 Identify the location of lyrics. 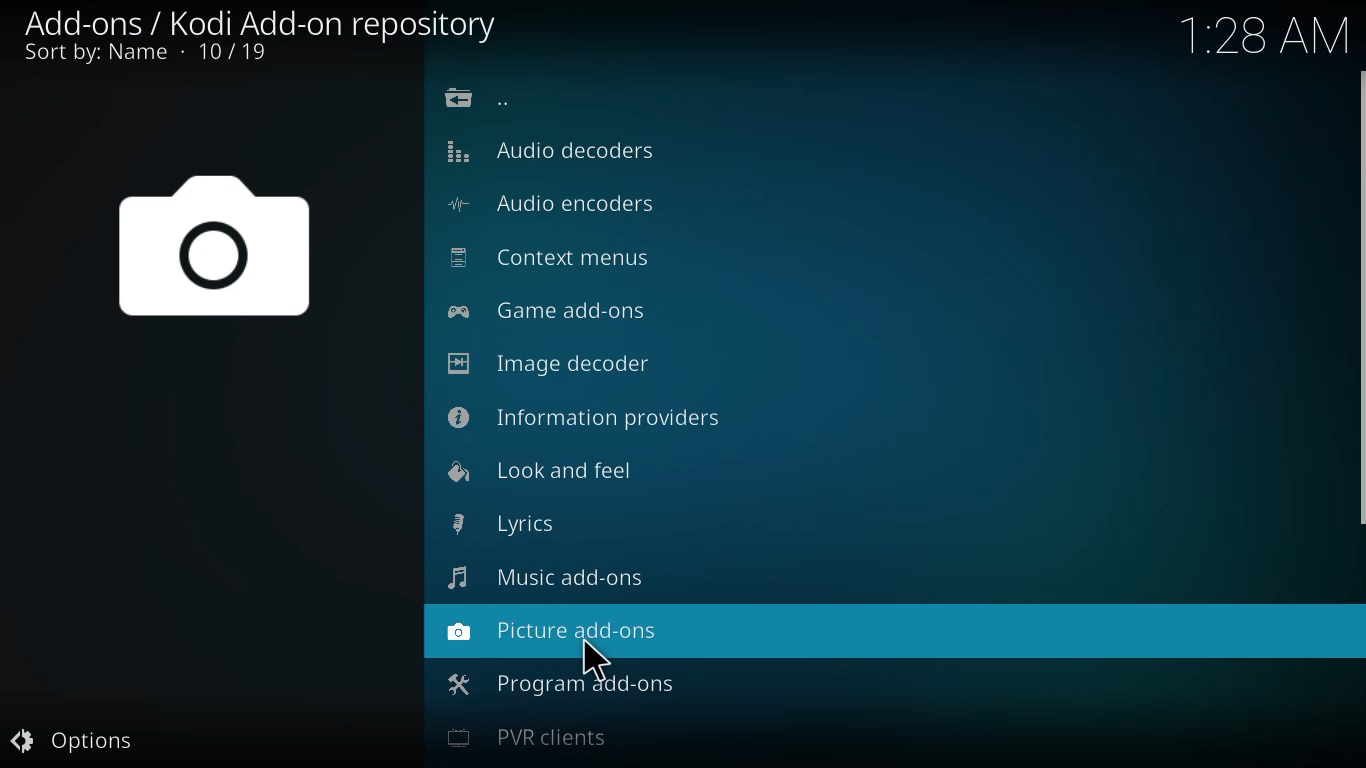
(514, 522).